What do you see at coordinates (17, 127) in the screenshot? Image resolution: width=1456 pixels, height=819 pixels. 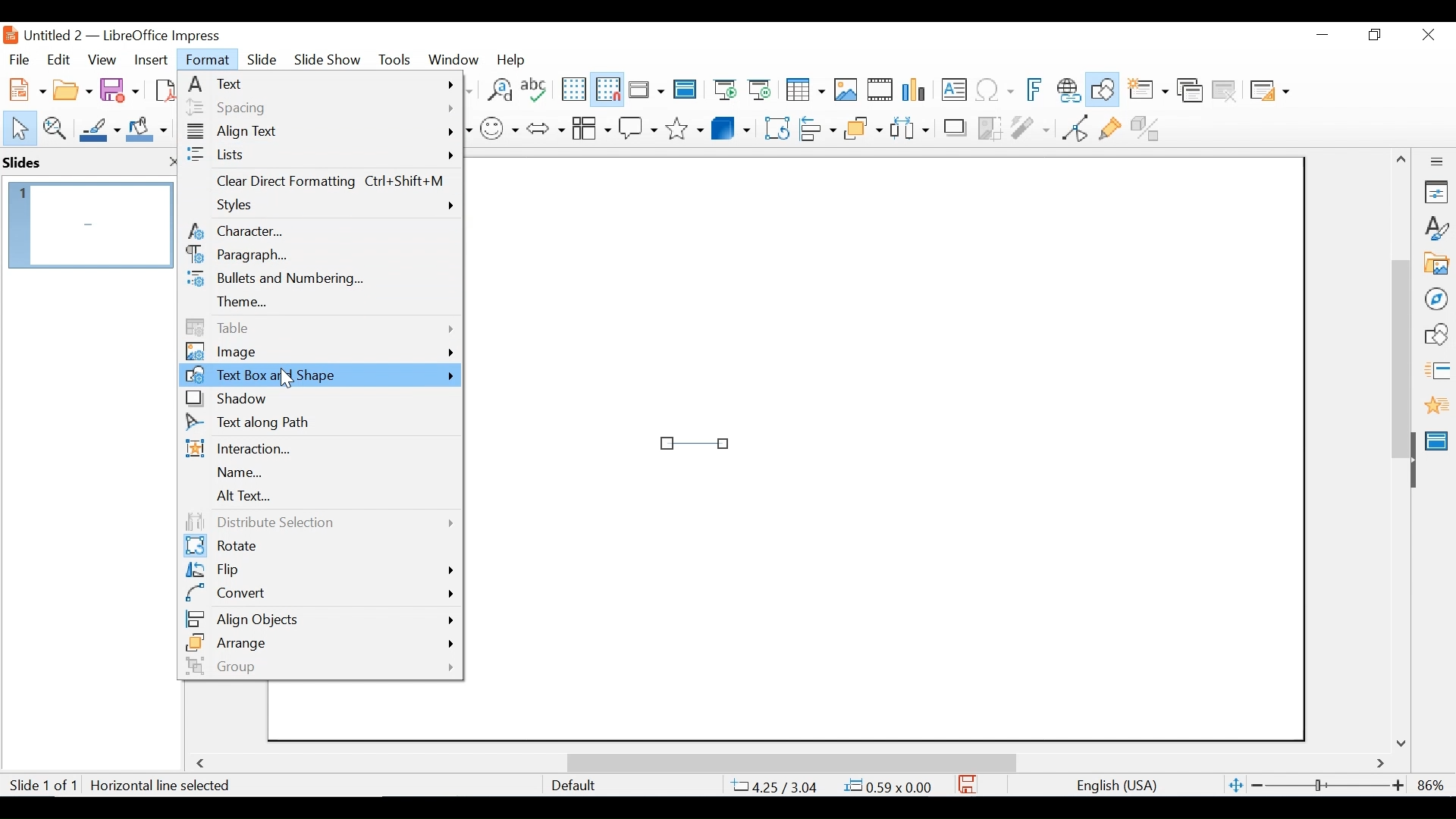 I see `Select` at bounding box center [17, 127].